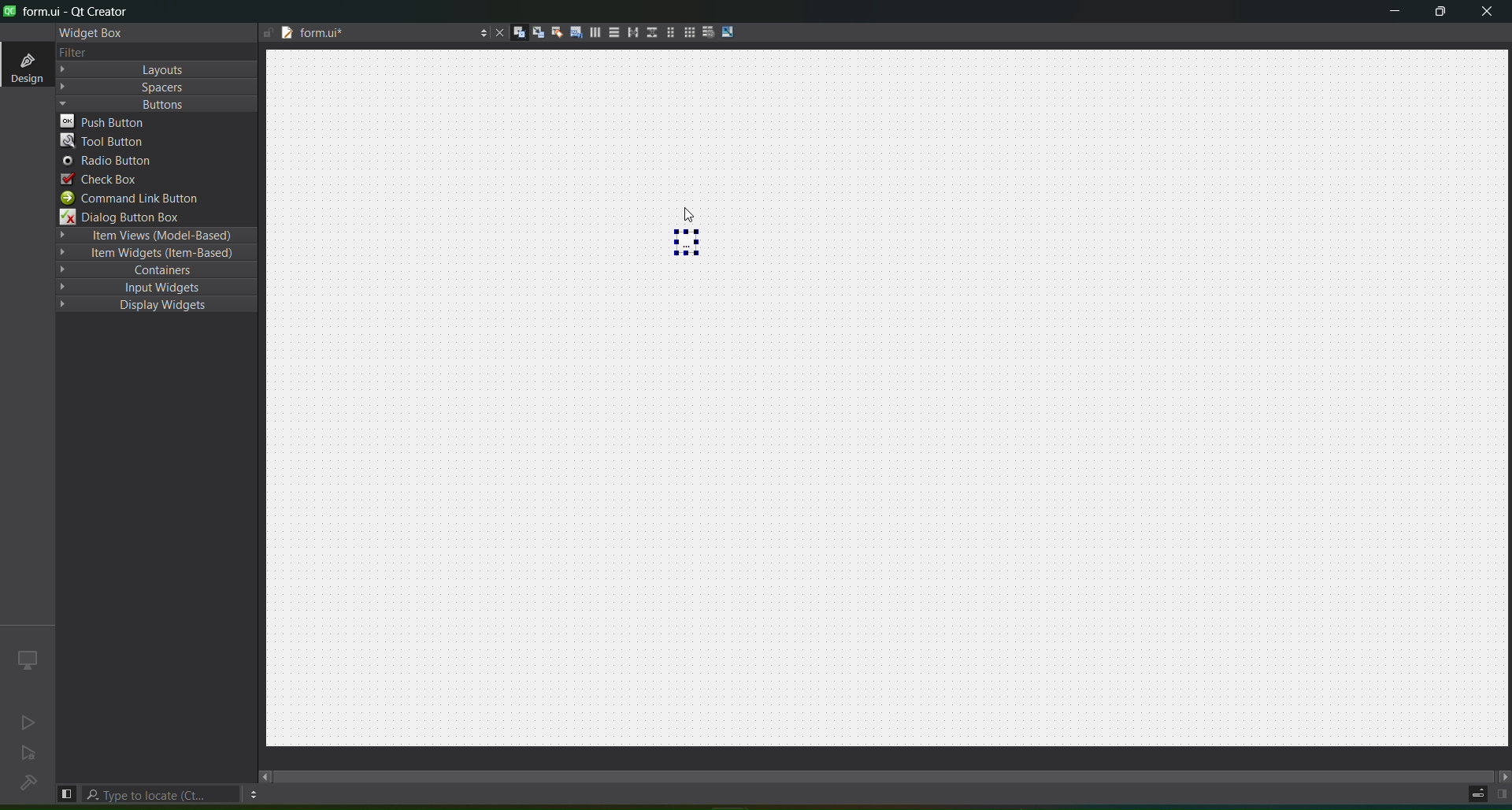 Image resolution: width=1512 pixels, height=810 pixels. I want to click on Layout, so click(158, 69).